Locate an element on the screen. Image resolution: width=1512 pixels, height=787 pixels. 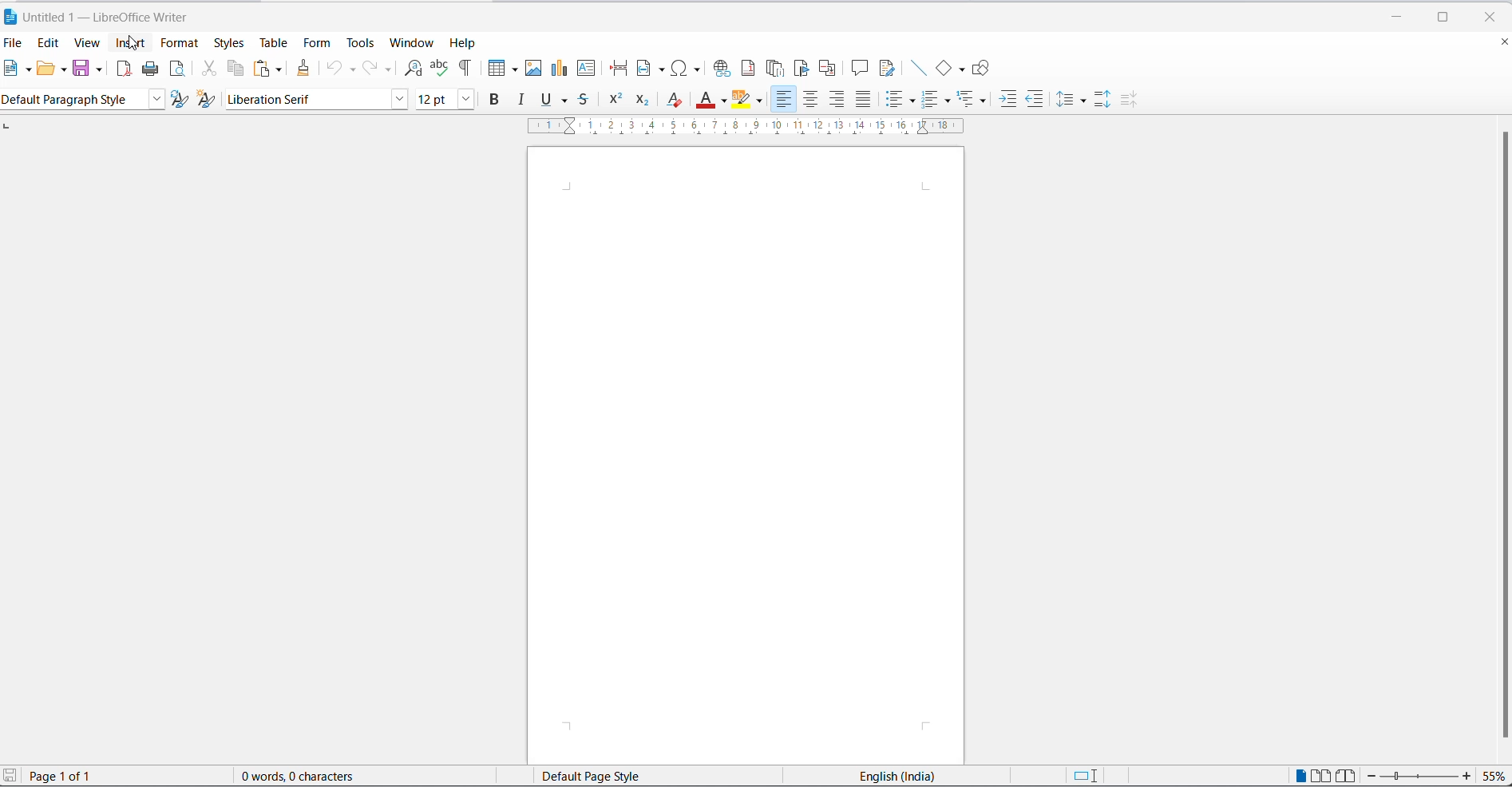
redo options is located at coordinates (389, 69).